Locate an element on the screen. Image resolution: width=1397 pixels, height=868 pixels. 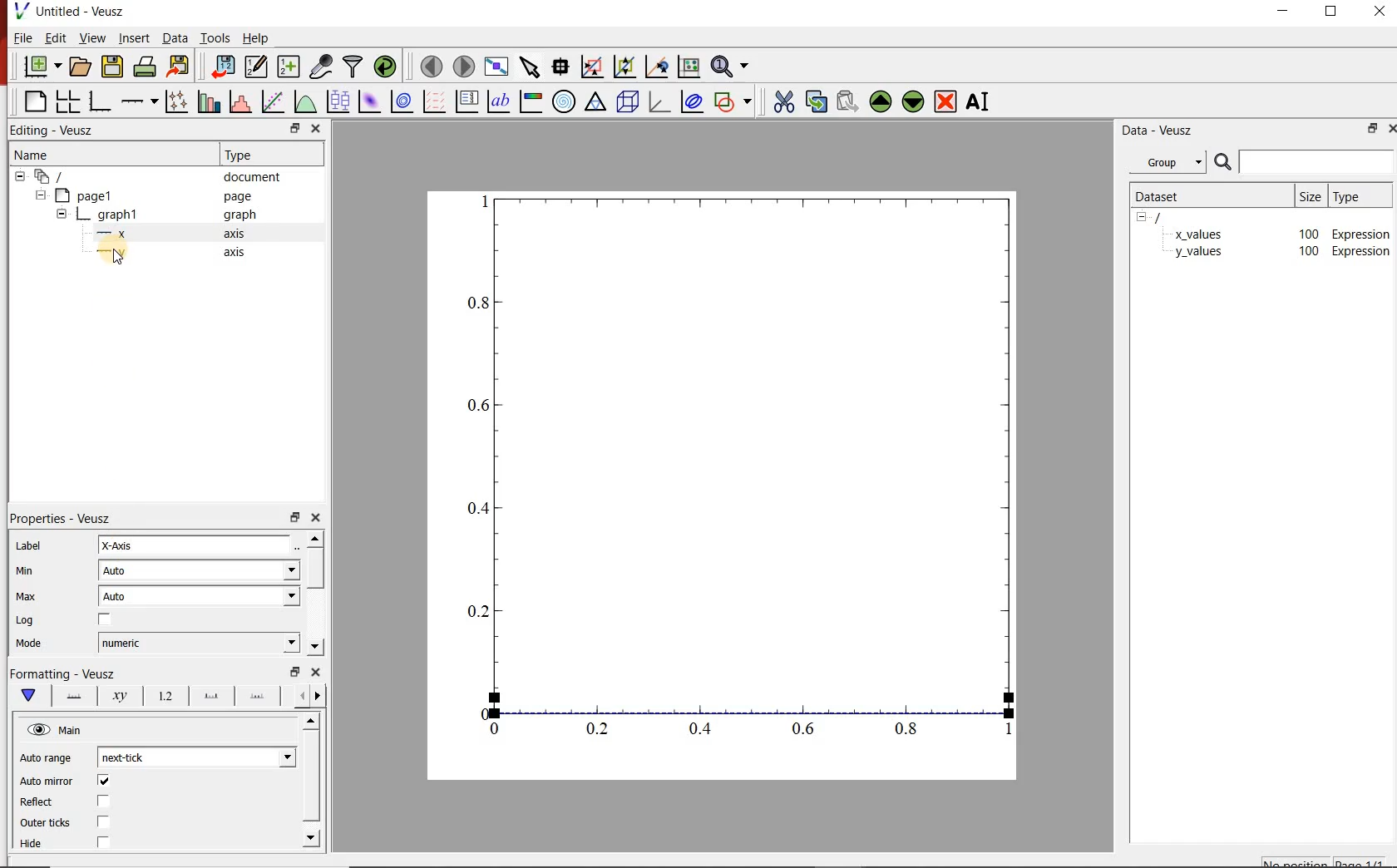
vertical scrollbar is located at coordinates (314, 569).